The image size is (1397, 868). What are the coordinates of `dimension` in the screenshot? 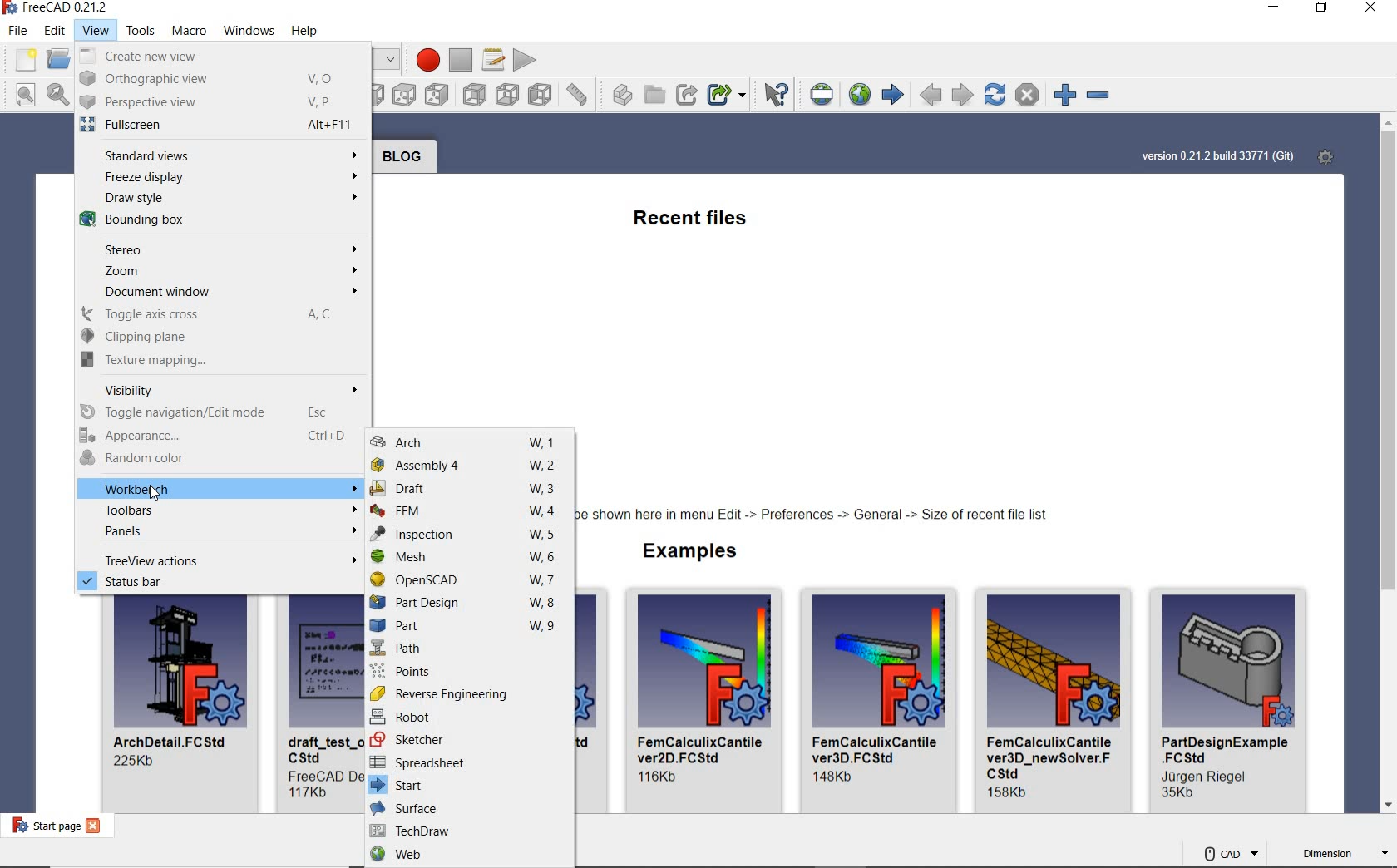 It's located at (1341, 855).